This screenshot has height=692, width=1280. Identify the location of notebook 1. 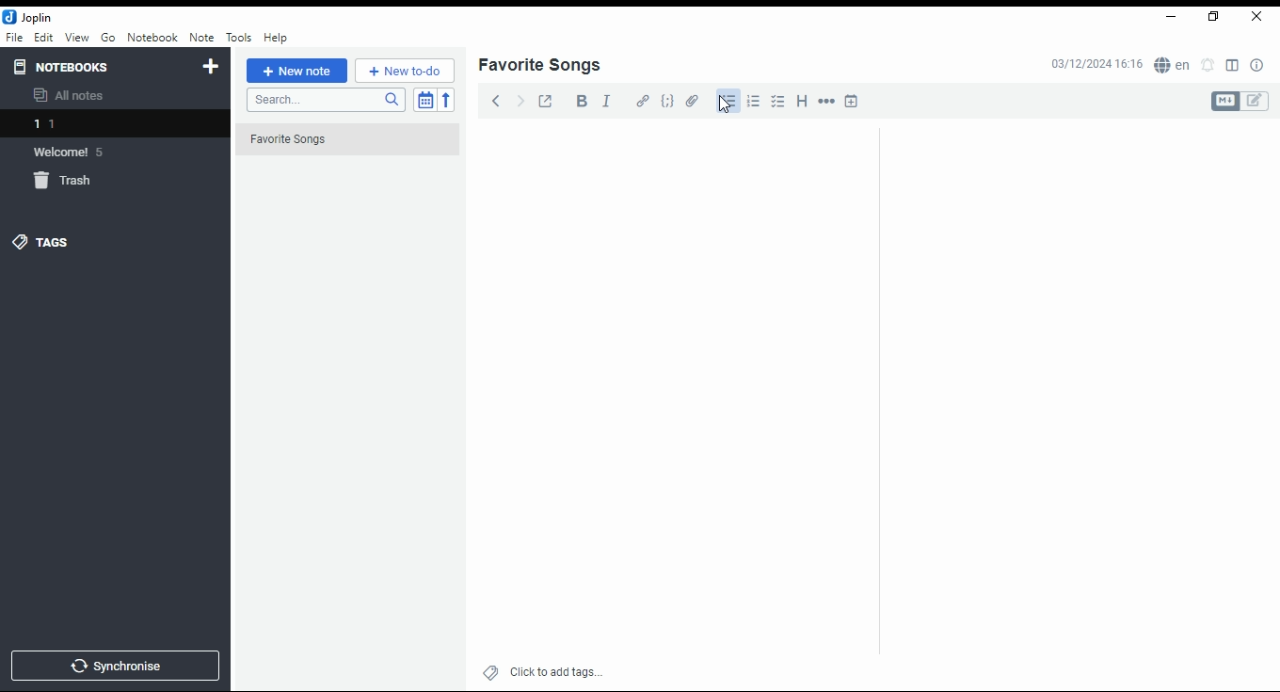
(73, 126).